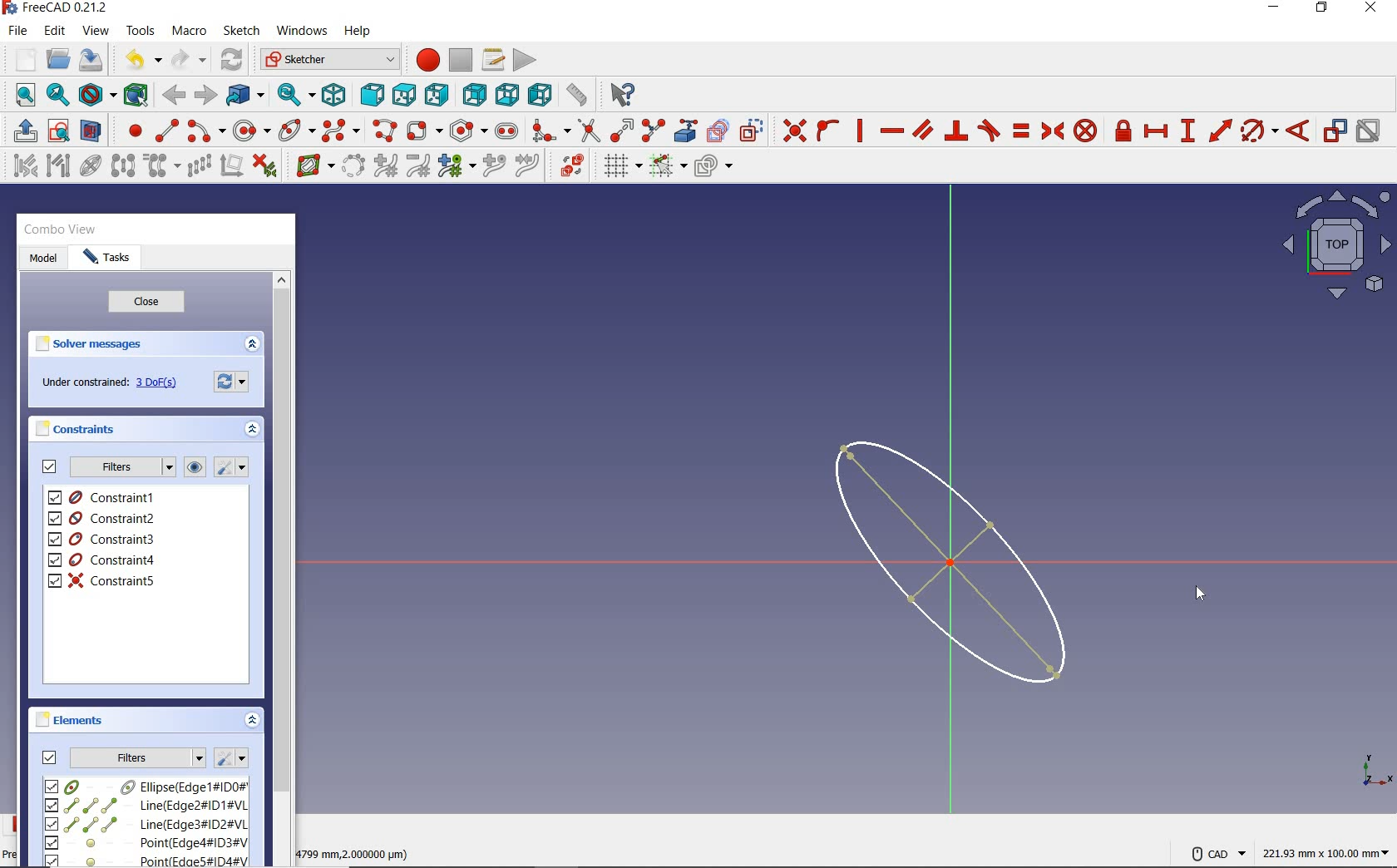  Describe the element at coordinates (1051, 131) in the screenshot. I see `constrain symmetrical` at that location.